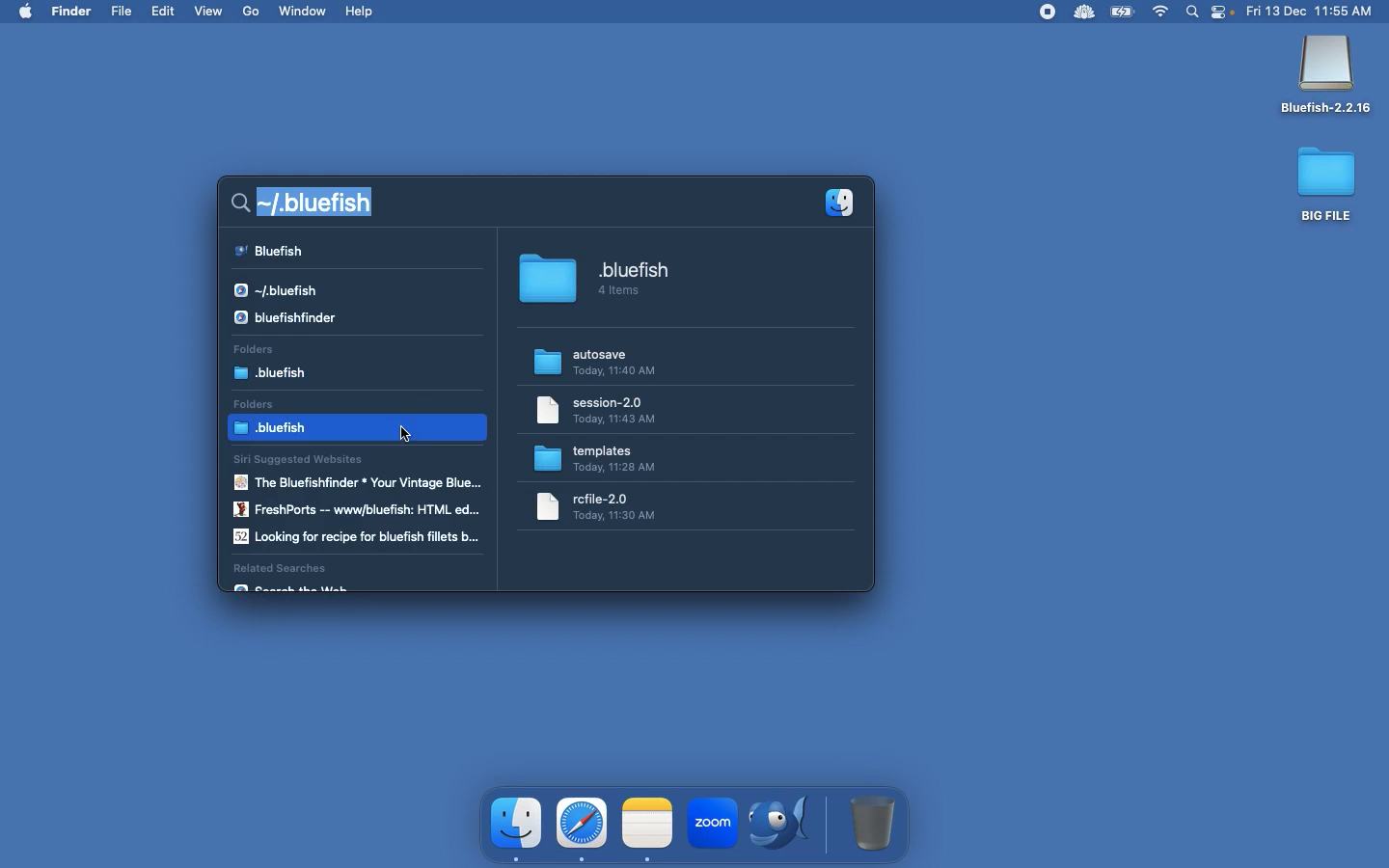 The width and height of the screenshot is (1389, 868). Describe the element at coordinates (841, 200) in the screenshot. I see `Applications` at that location.